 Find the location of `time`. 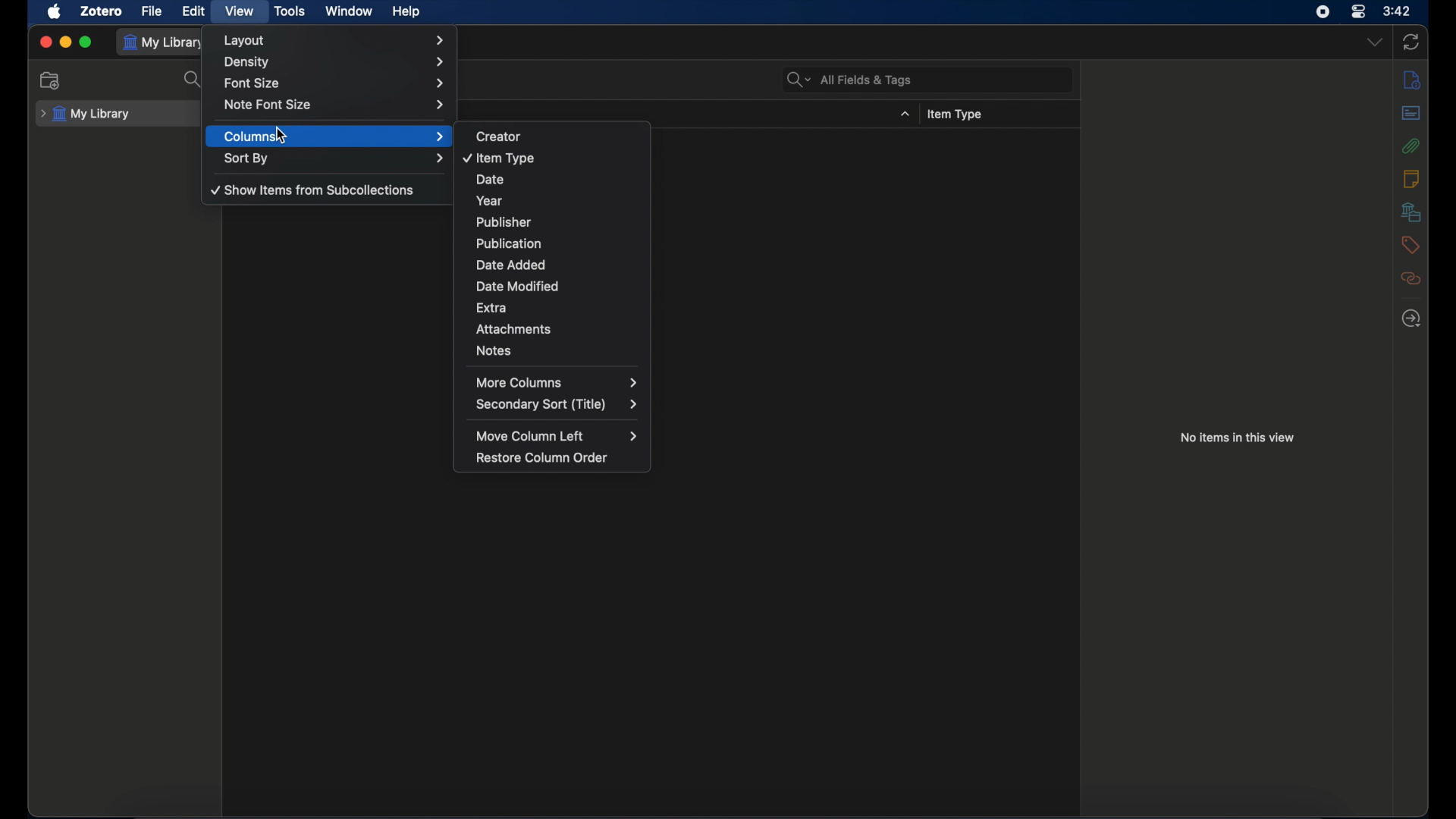

time is located at coordinates (1398, 11).